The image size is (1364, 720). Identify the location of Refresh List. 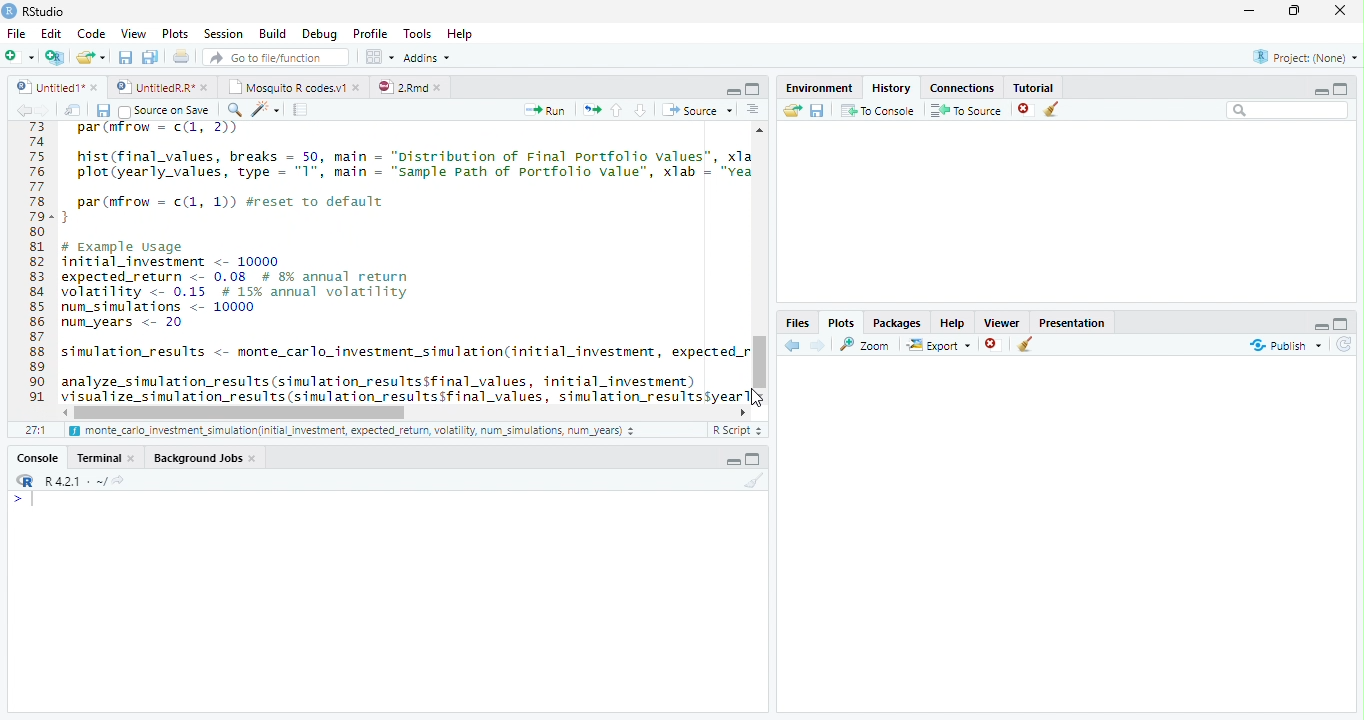
(1345, 345).